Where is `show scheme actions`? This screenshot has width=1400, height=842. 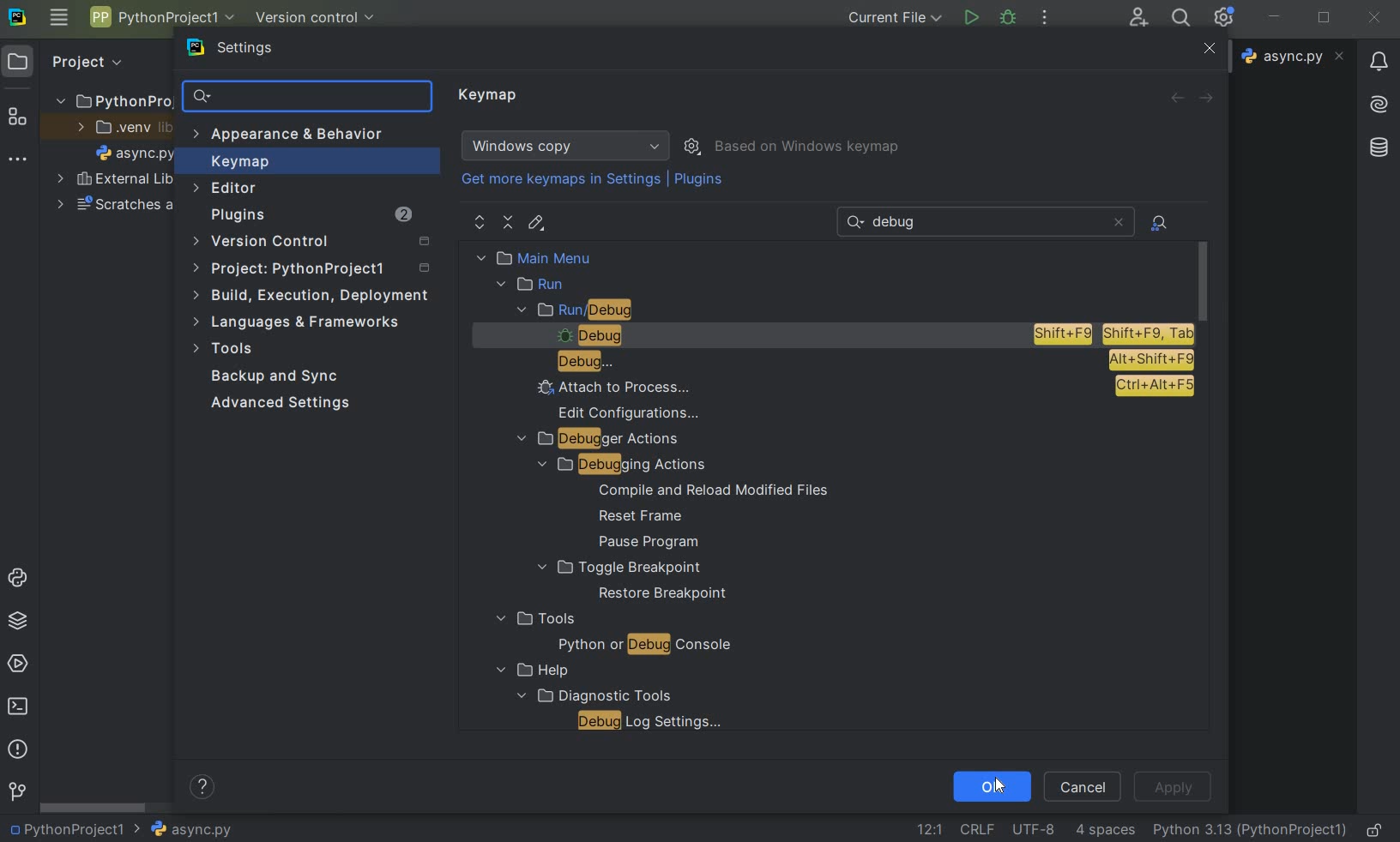
show scheme actions is located at coordinates (694, 145).